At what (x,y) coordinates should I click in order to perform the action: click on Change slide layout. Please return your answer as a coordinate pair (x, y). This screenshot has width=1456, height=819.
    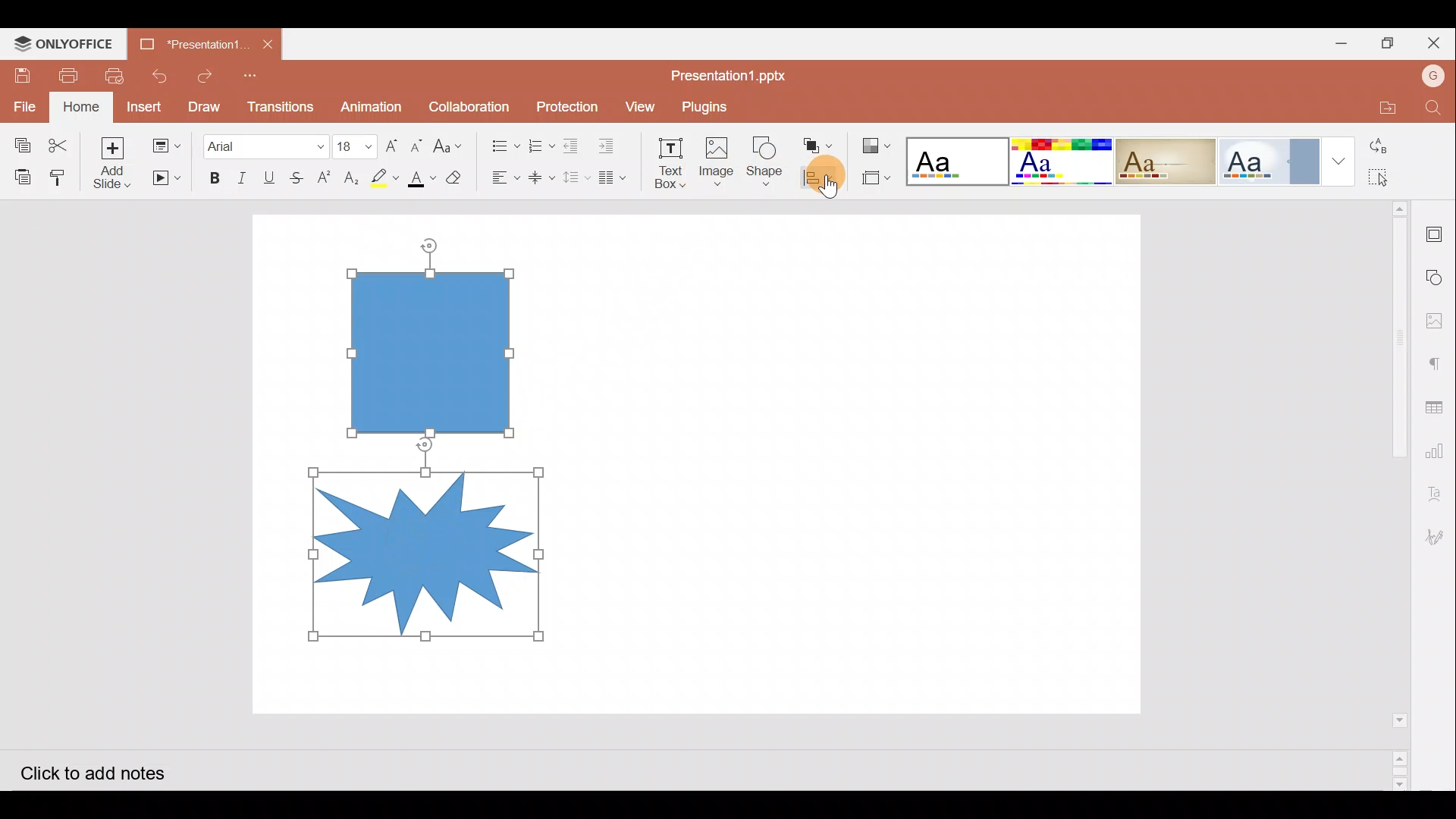
    Looking at the image, I should click on (166, 144).